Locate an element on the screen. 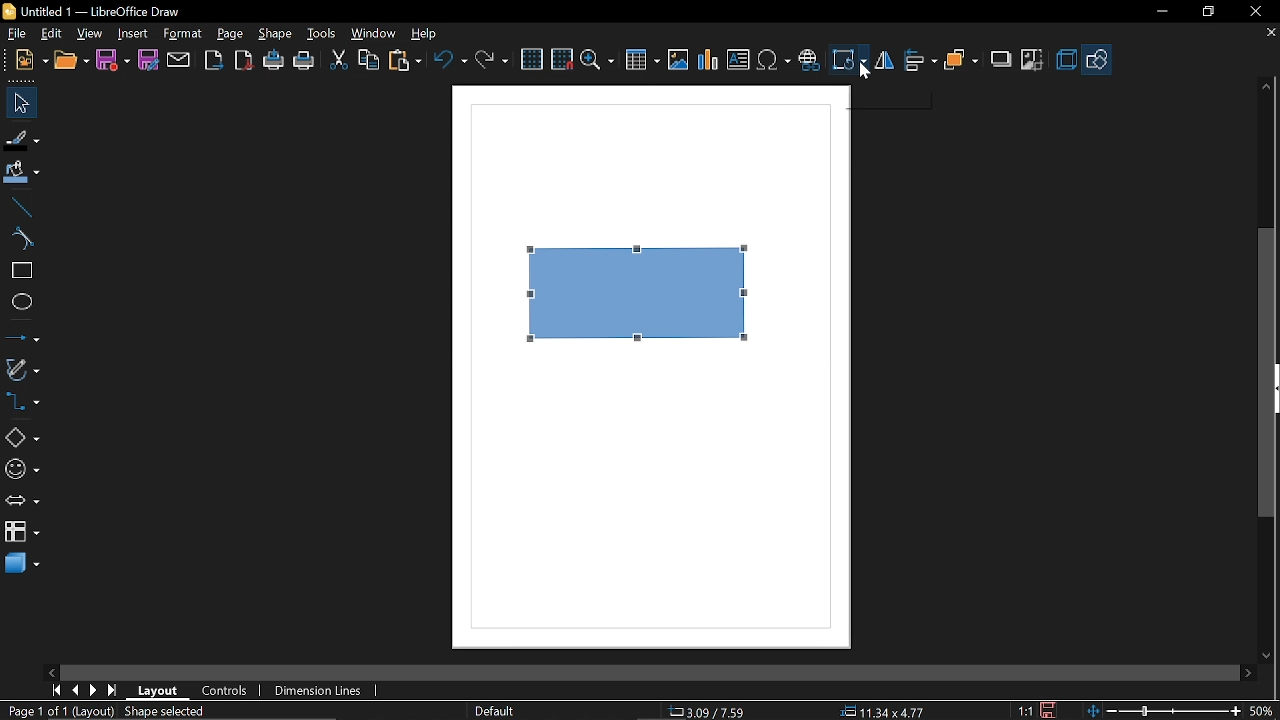 The image size is (1280, 720). close tab is located at coordinates (1270, 34).